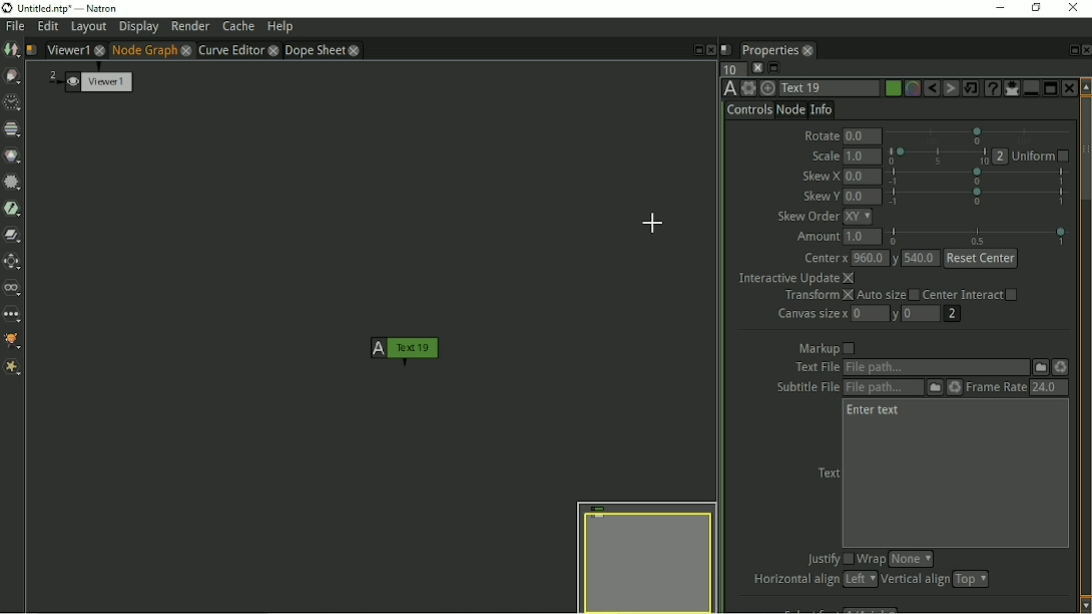 The height and width of the screenshot is (614, 1092). Describe the element at coordinates (98, 81) in the screenshot. I see `Viewer 1` at that location.